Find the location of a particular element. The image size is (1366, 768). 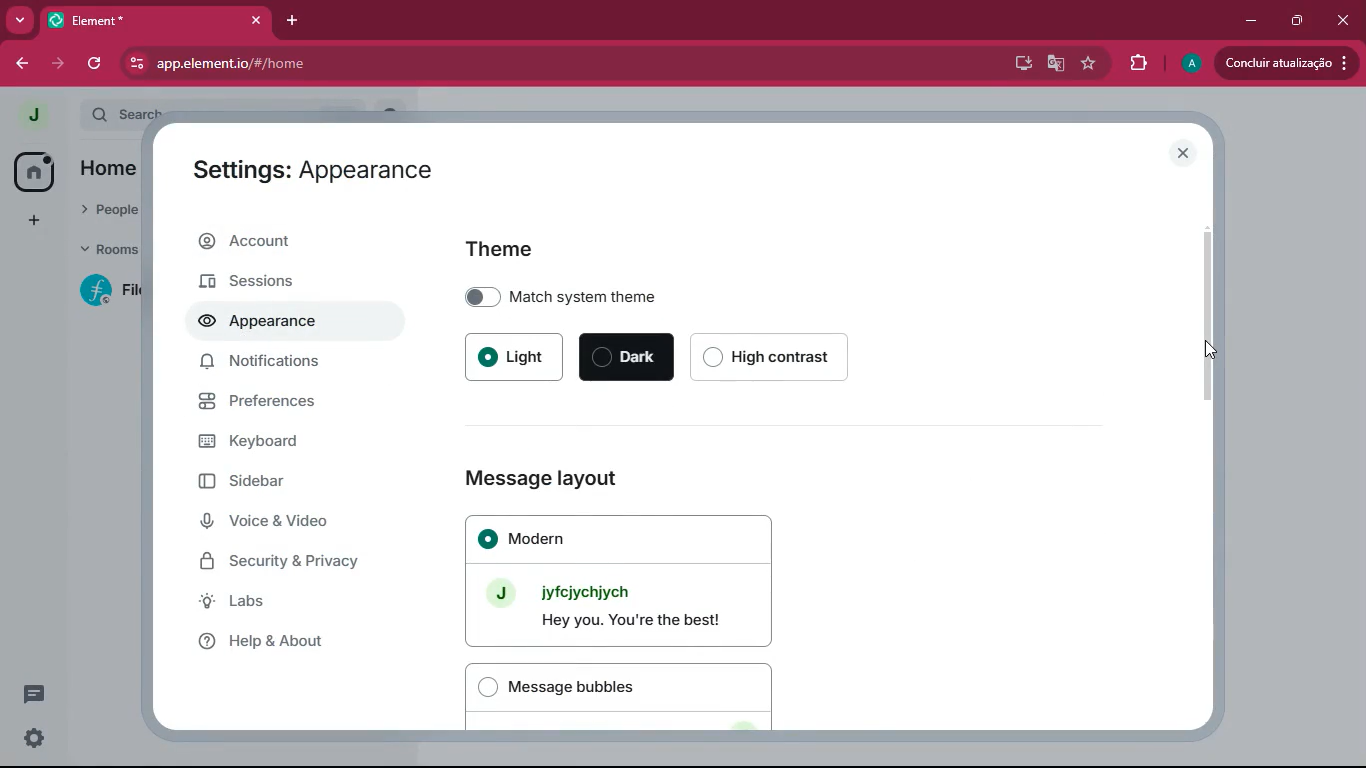

voice is located at coordinates (289, 522).